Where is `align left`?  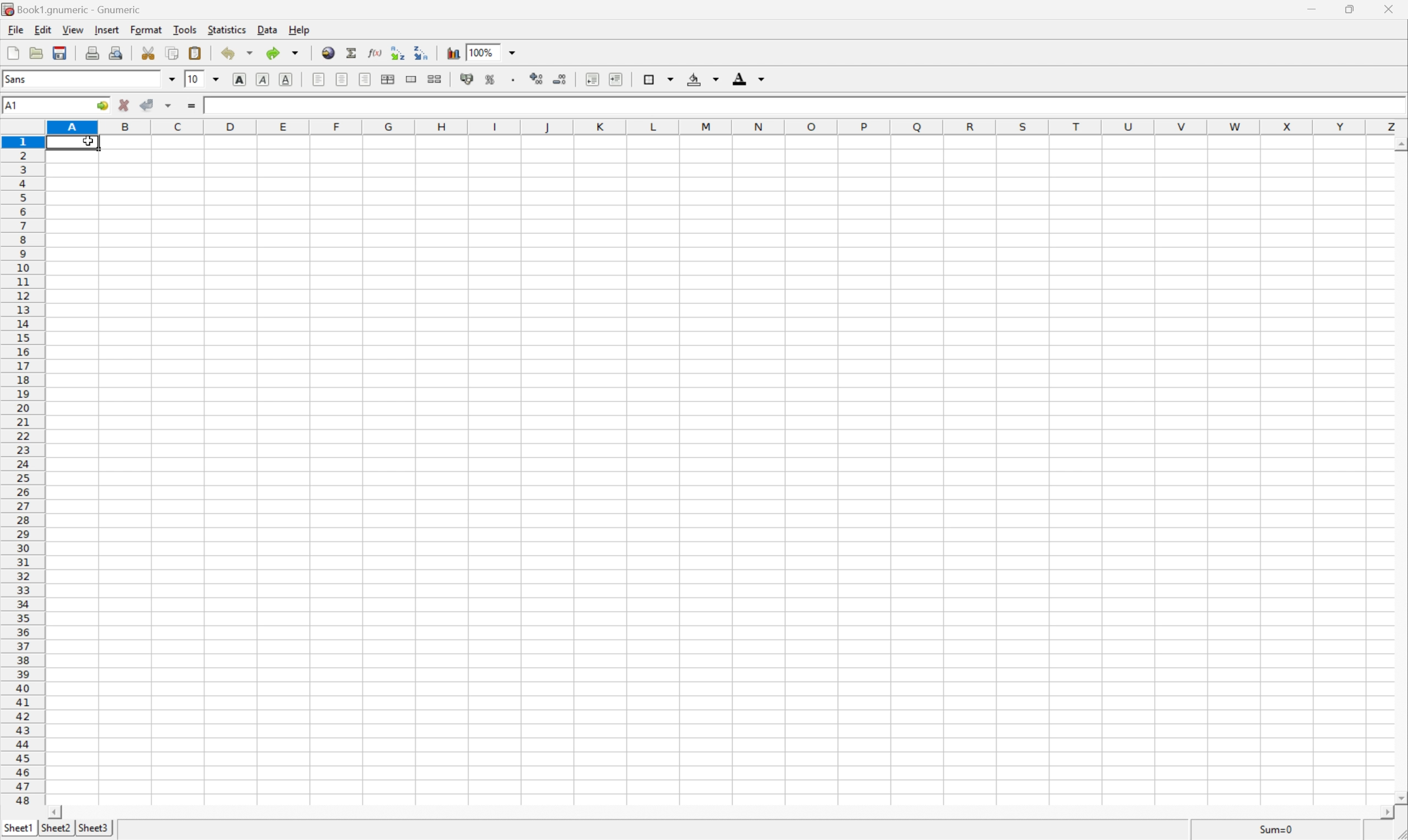
align left is located at coordinates (319, 79).